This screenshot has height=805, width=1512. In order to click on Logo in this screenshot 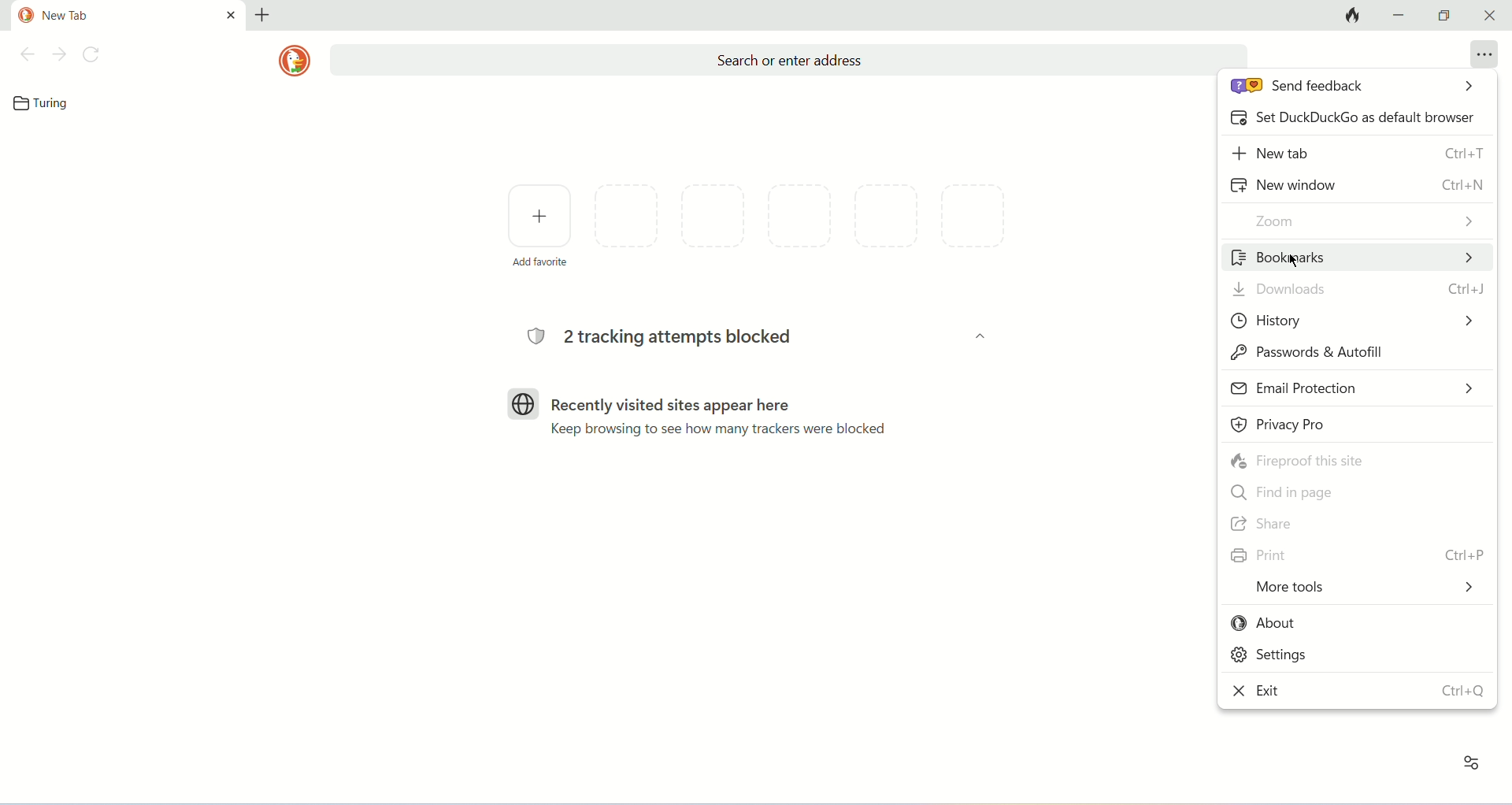, I will do `click(524, 402)`.